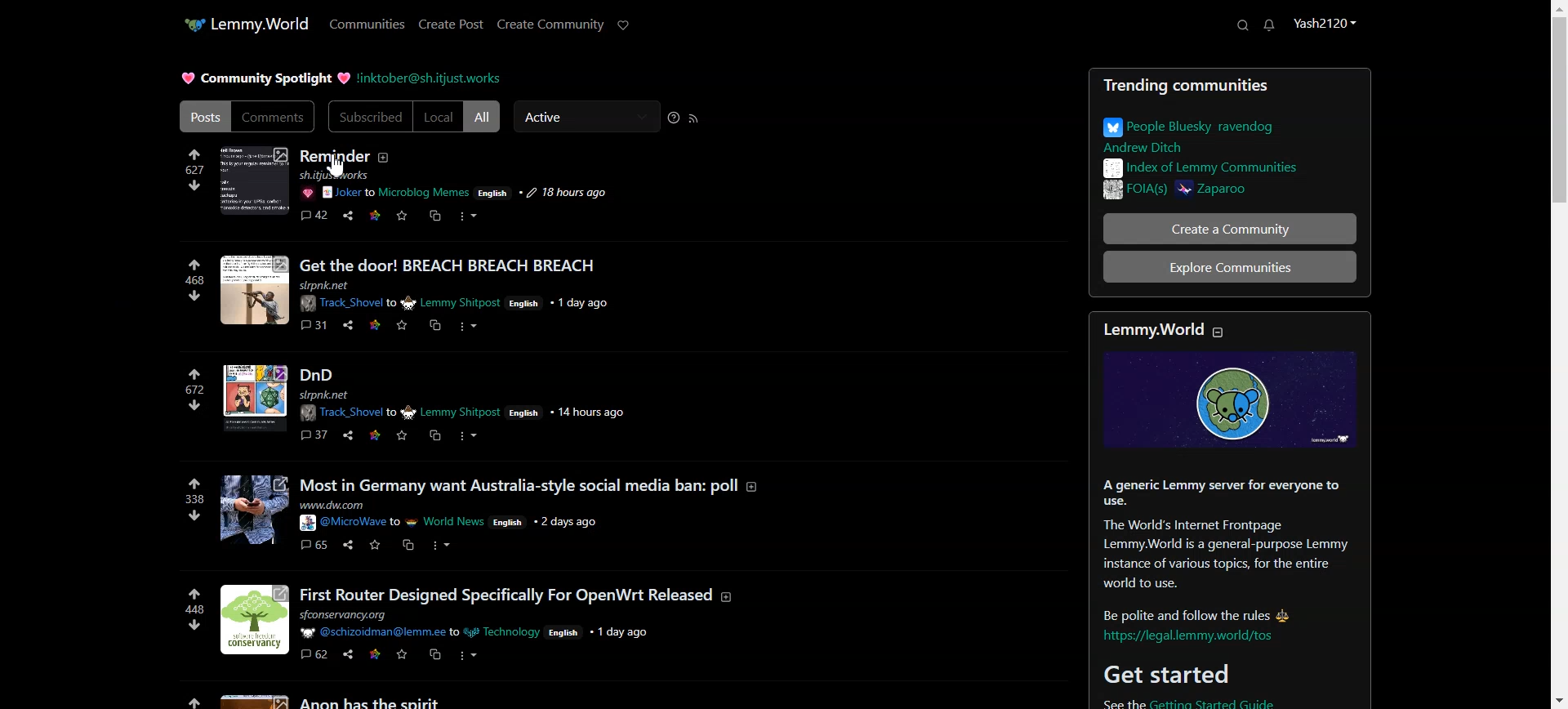 The height and width of the screenshot is (709, 1568). I want to click on Sorting help, so click(674, 118).